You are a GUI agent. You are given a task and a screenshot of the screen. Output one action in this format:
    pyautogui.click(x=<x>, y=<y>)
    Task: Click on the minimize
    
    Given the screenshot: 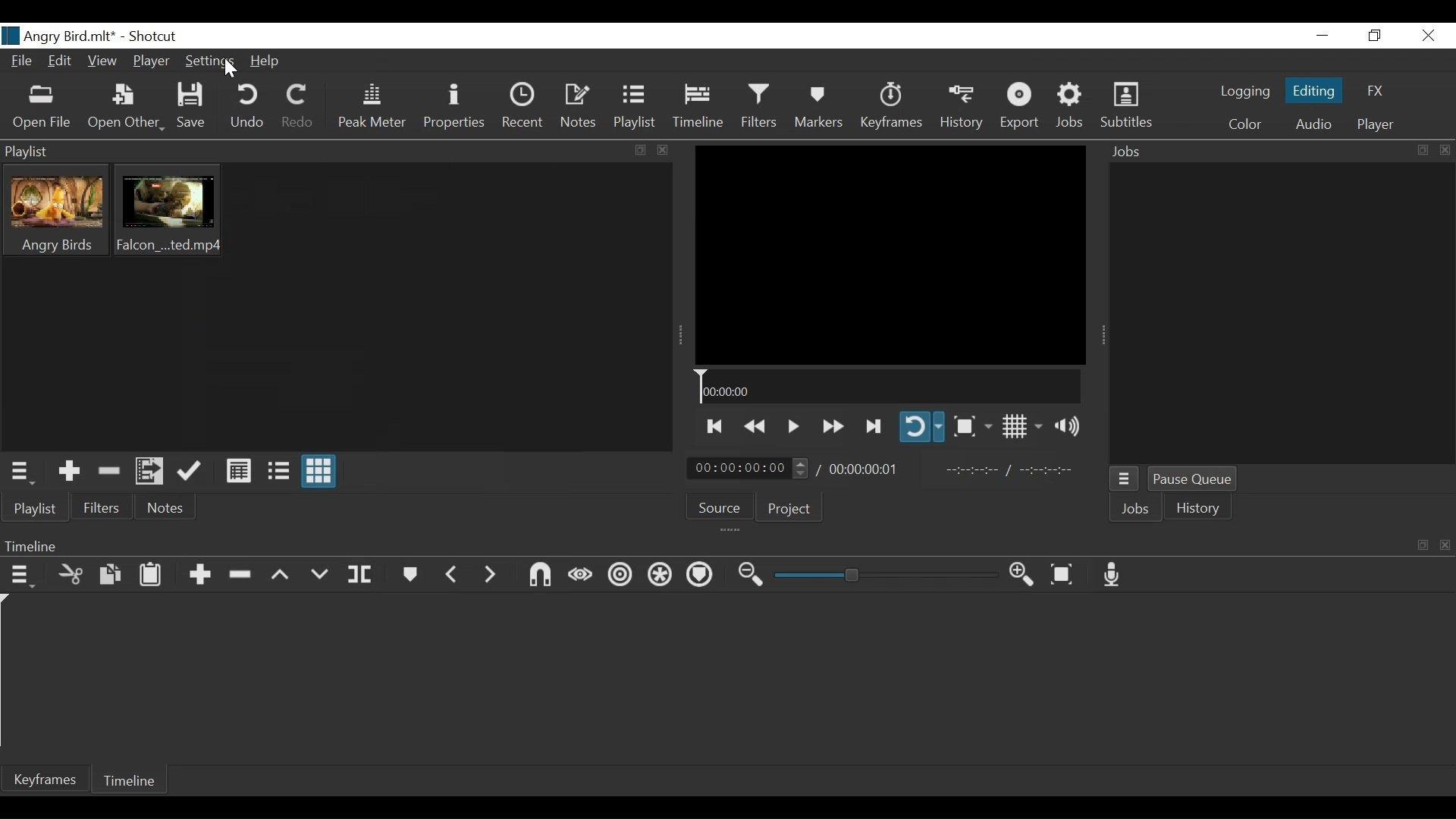 What is the action you would take?
    pyautogui.click(x=1323, y=36)
    